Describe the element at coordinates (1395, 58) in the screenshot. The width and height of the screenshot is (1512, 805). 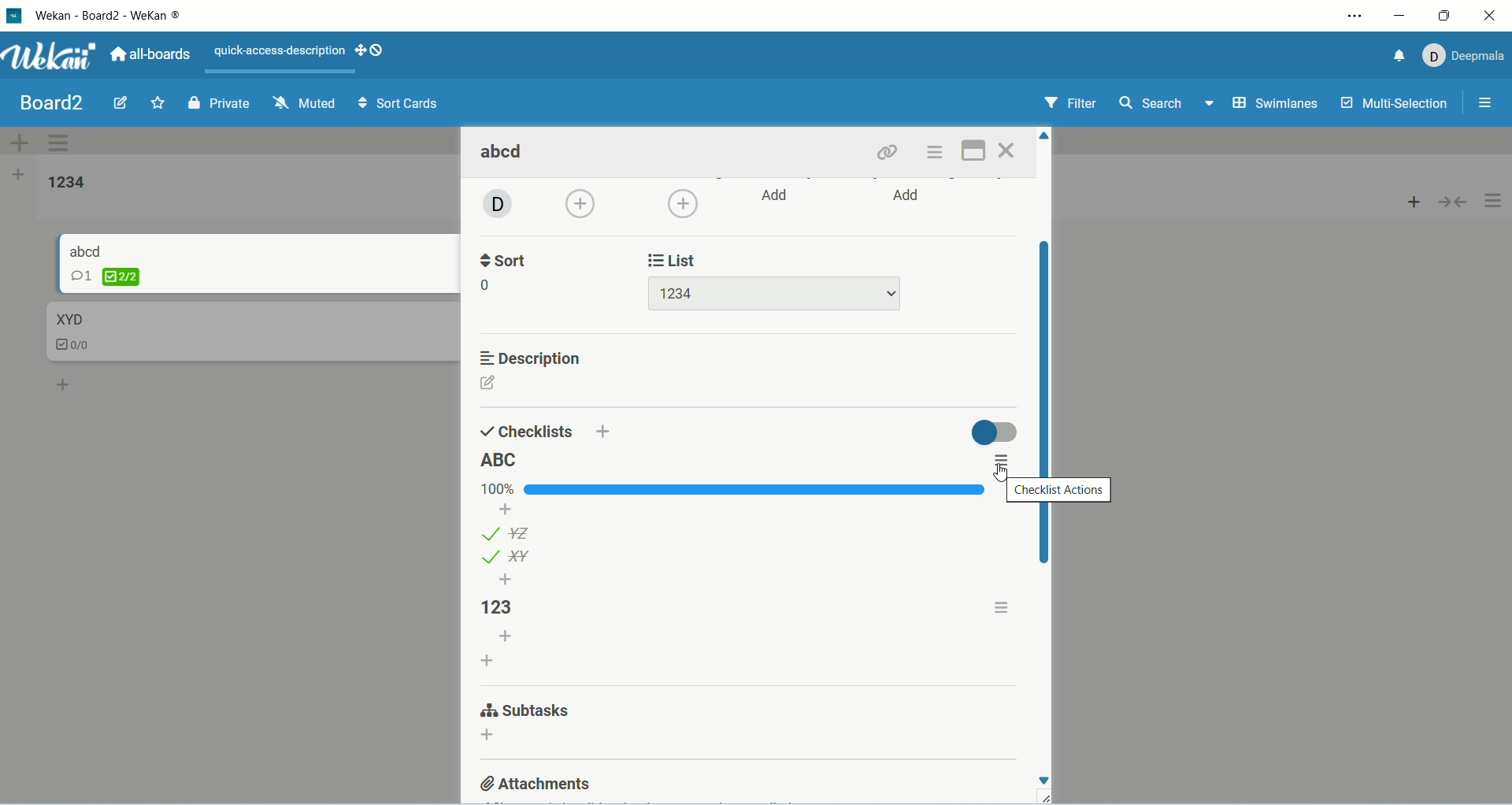
I see `notification` at that location.